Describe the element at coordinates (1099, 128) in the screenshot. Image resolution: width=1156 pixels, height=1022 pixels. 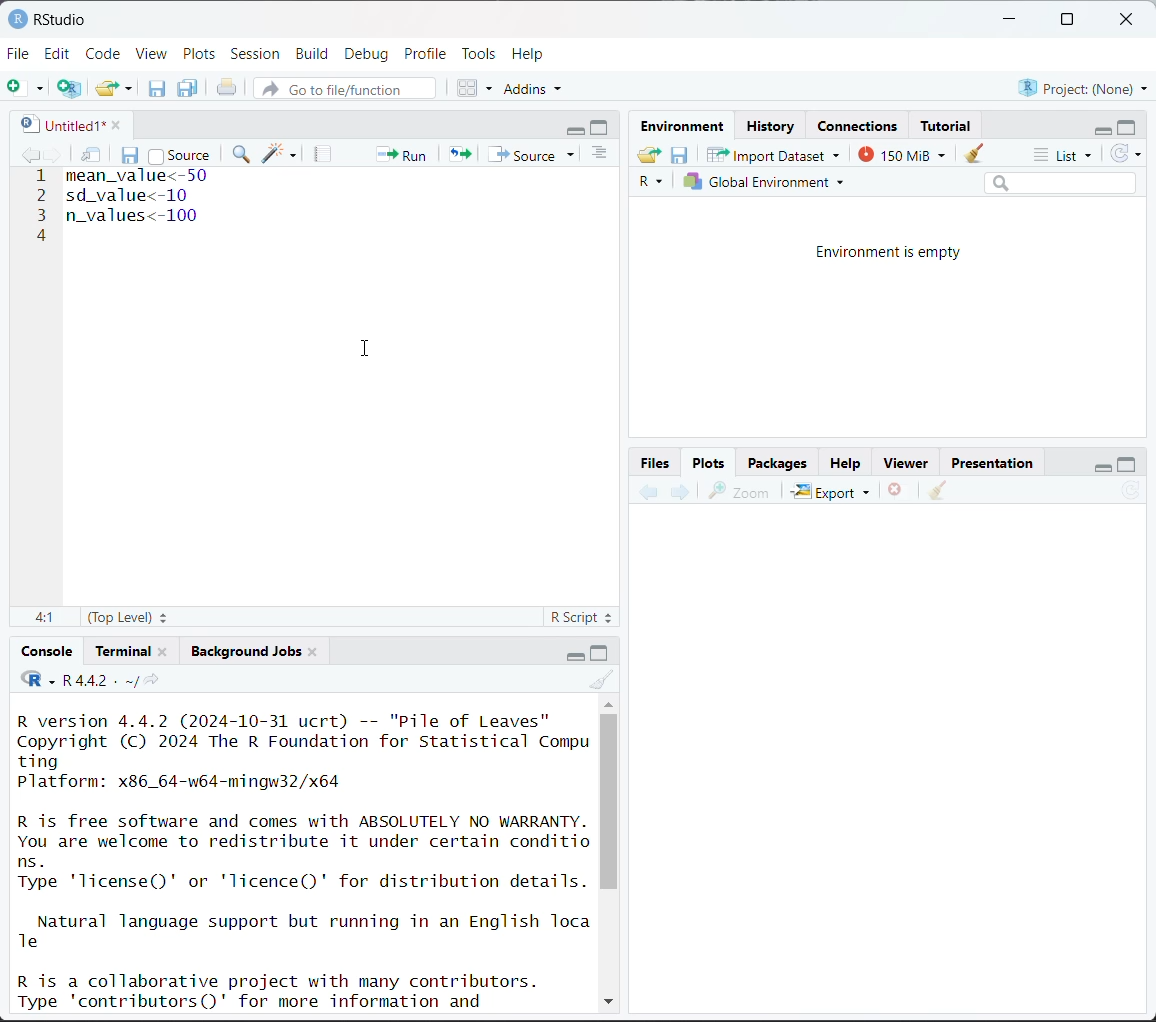
I see `minimize` at that location.